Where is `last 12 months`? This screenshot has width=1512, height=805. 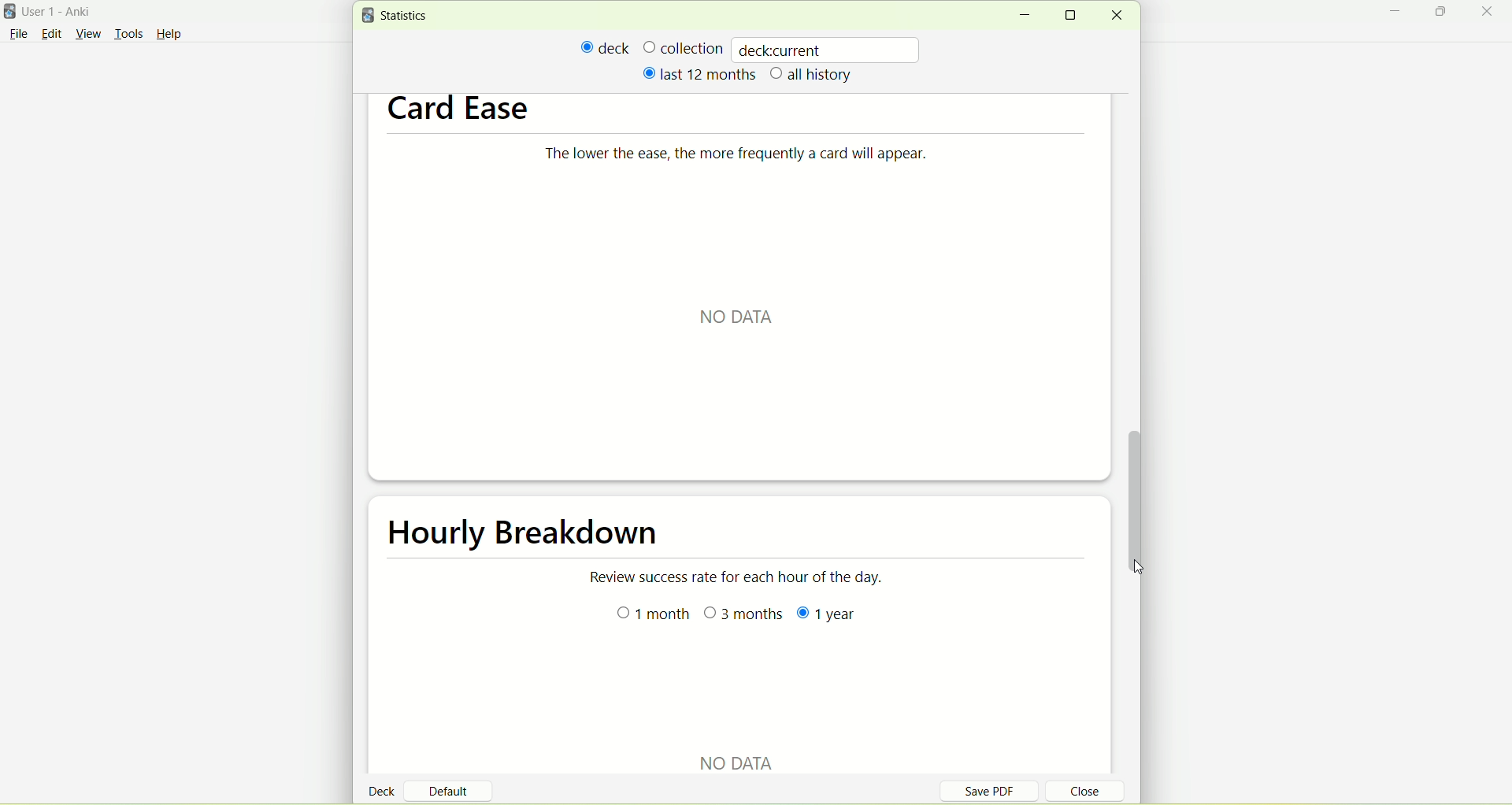 last 12 months is located at coordinates (698, 73).